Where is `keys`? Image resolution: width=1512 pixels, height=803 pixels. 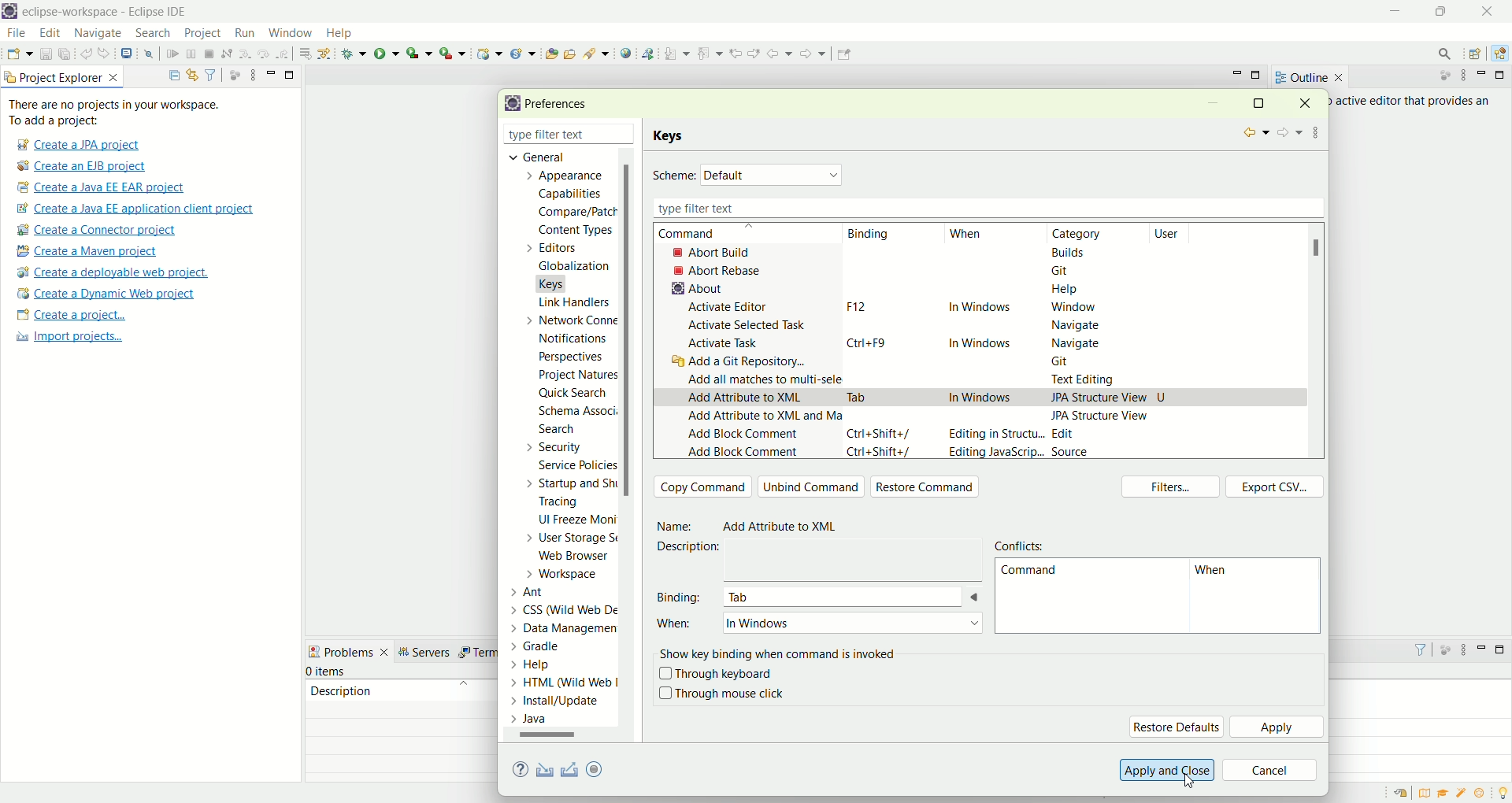
keys is located at coordinates (672, 136).